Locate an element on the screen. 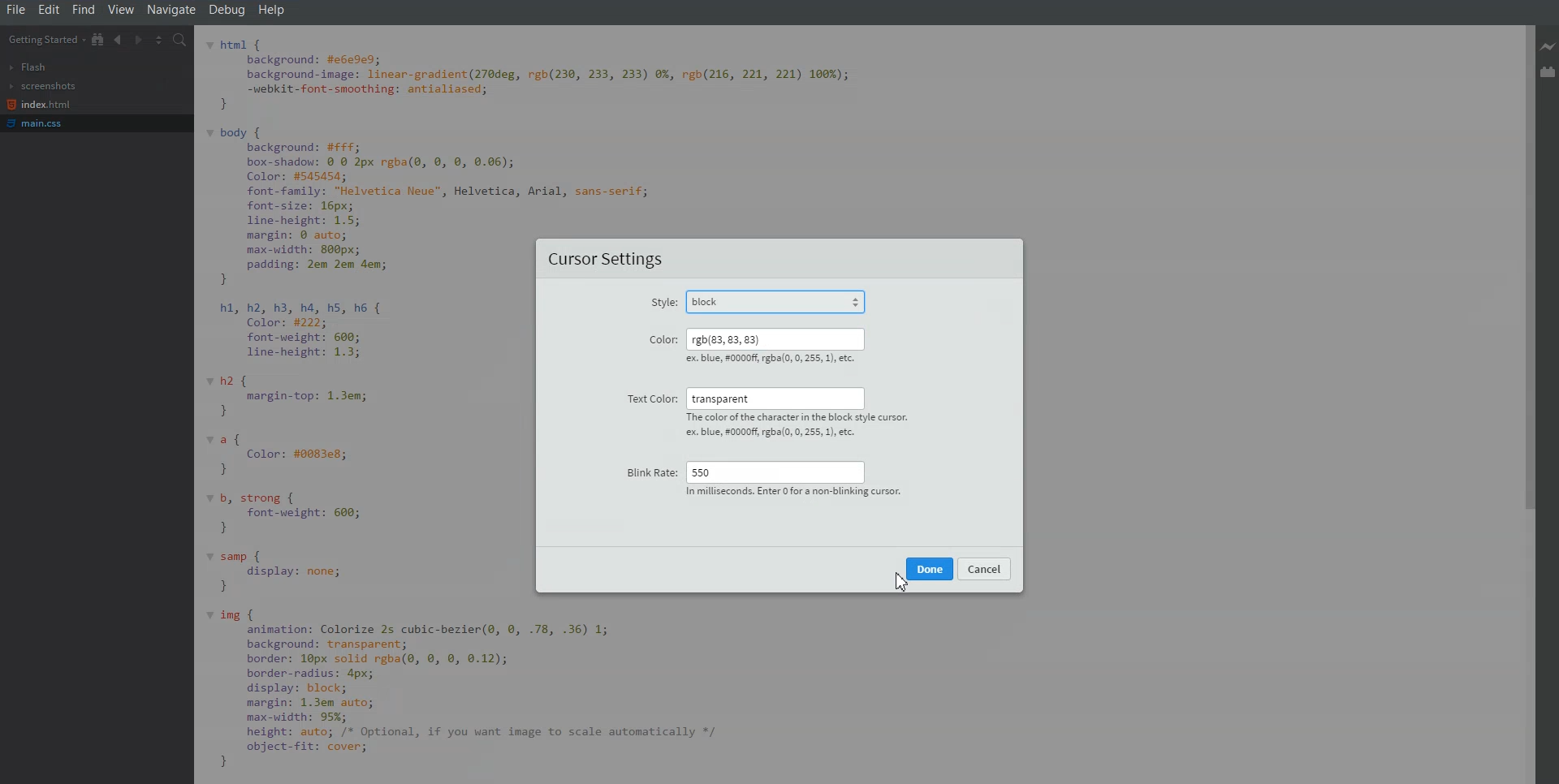  Find is located at coordinates (84, 10).